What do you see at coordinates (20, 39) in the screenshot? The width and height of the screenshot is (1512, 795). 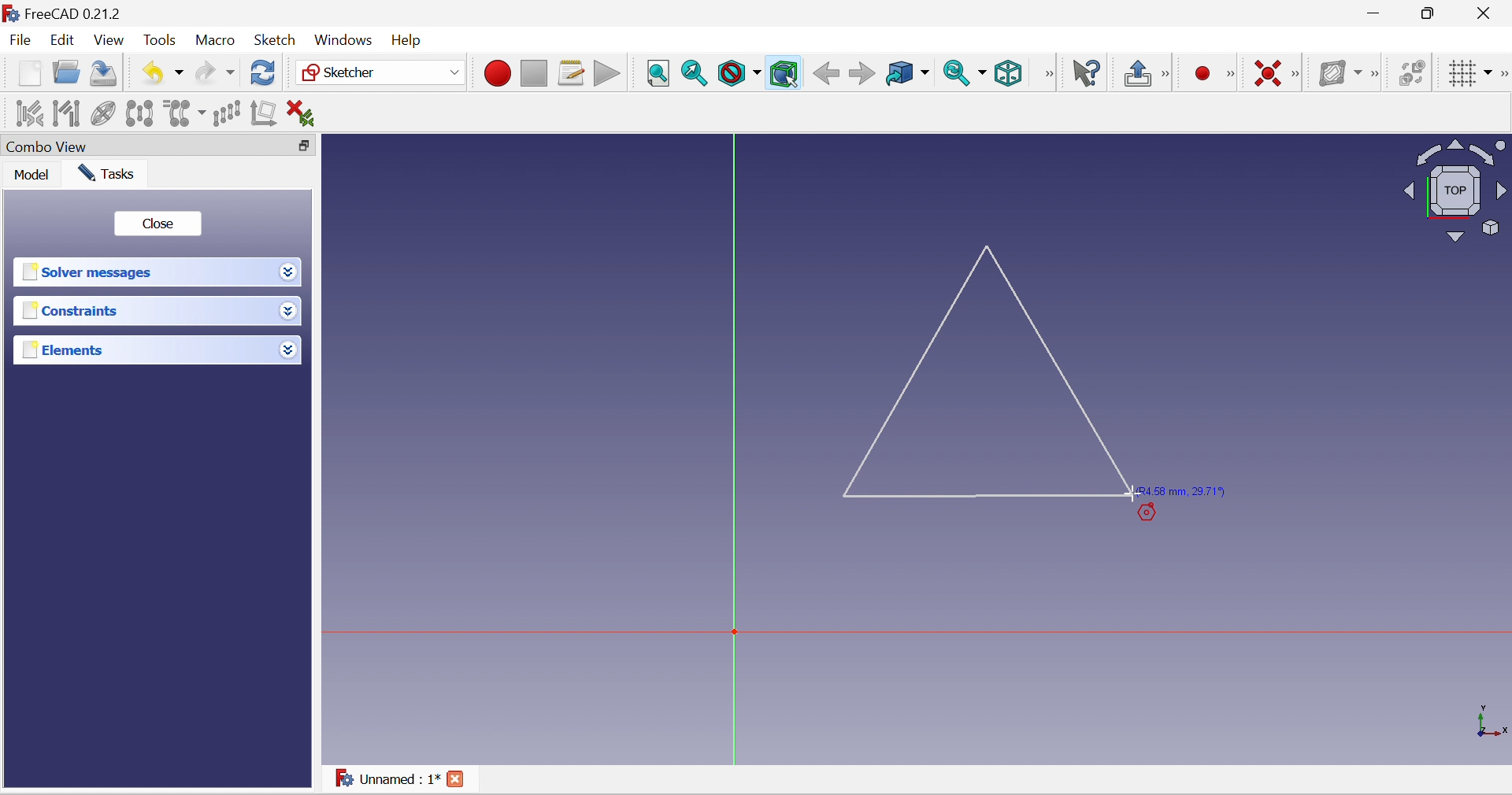 I see `File` at bounding box center [20, 39].